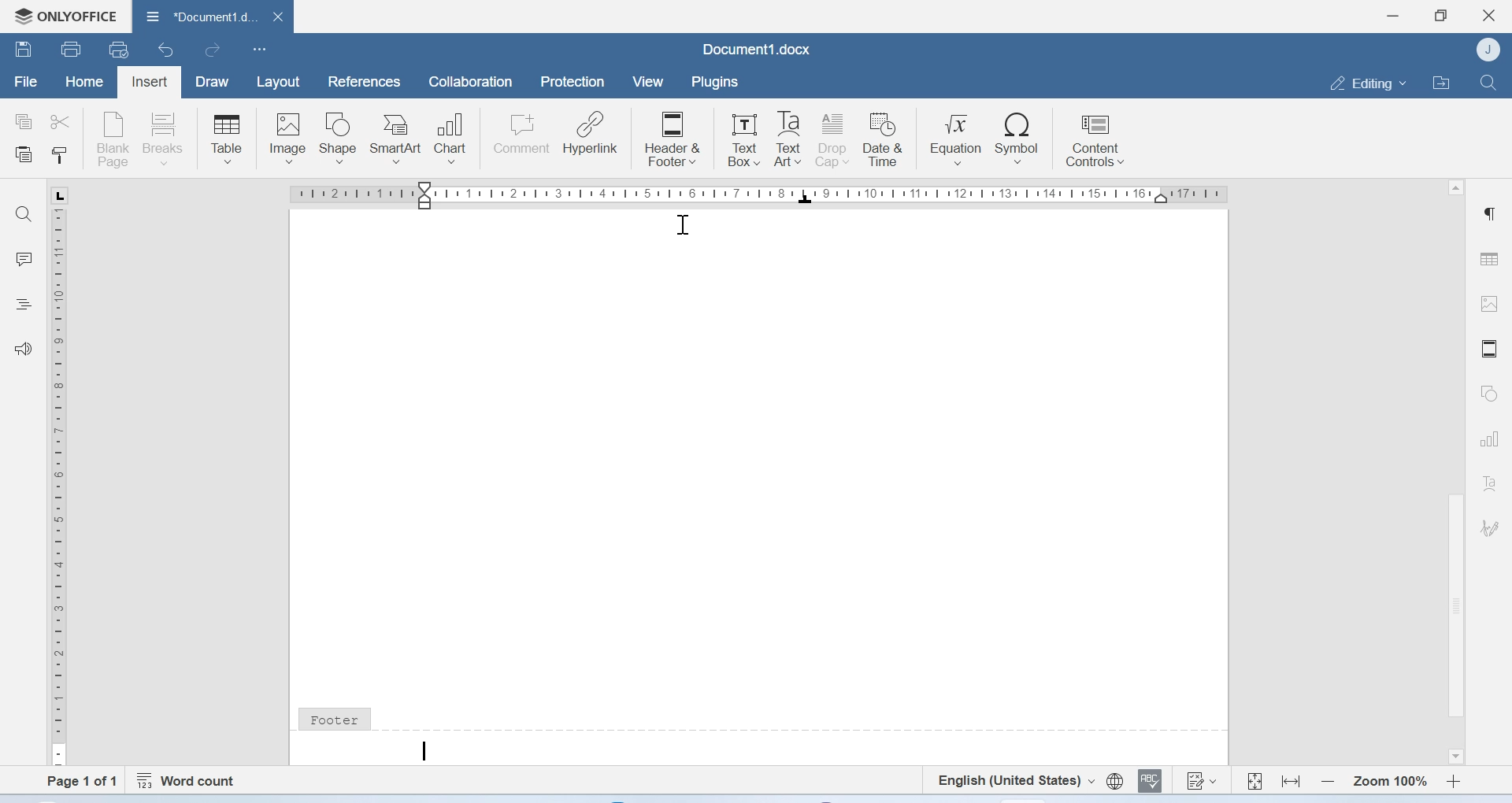 The width and height of the screenshot is (1512, 803). I want to click on Find, so click(28, 214).